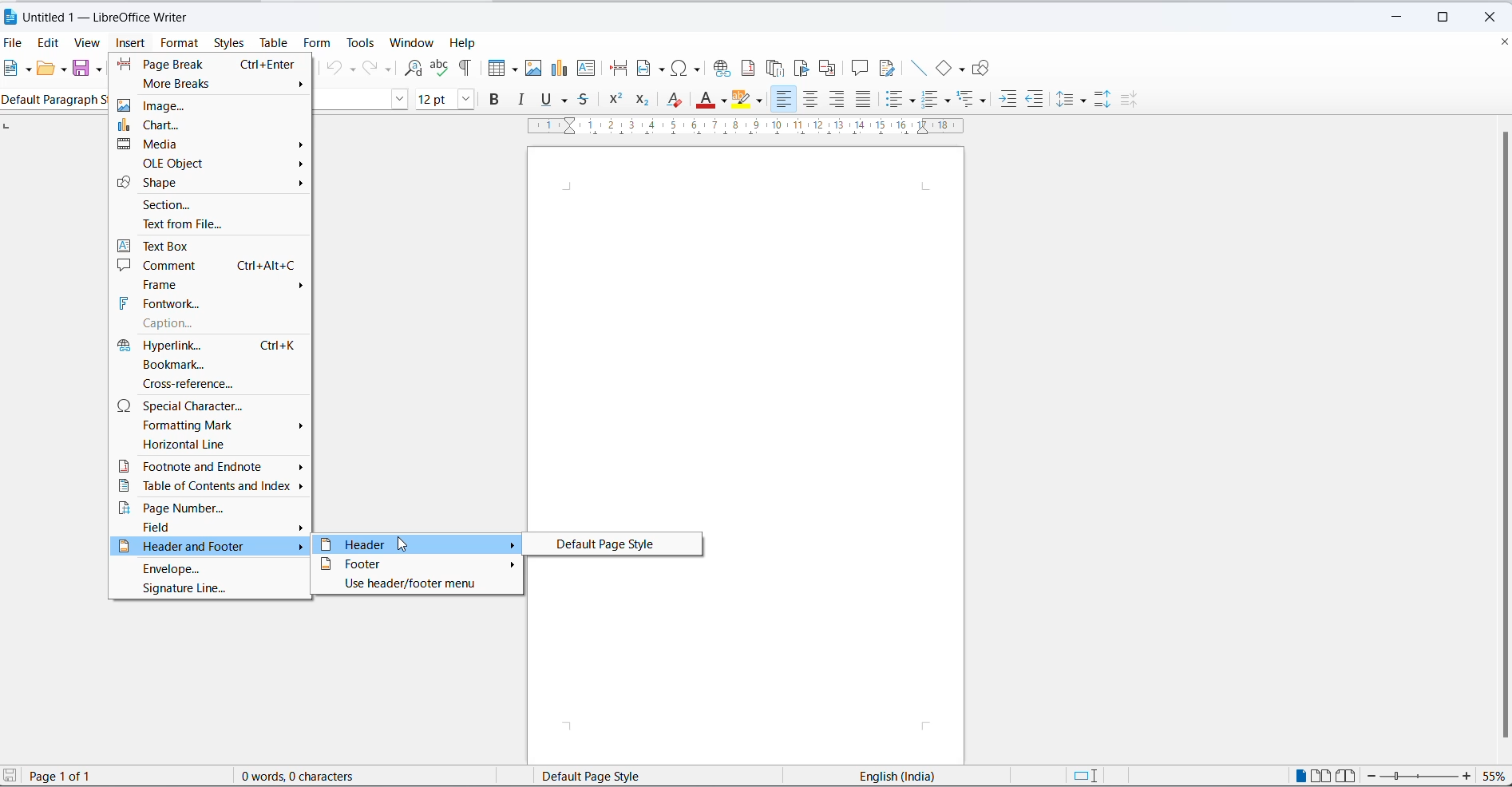 The image size is (1512, 787). Describe the element at coordinates (228, 43) in the screenshot. I see `styles` at that location.